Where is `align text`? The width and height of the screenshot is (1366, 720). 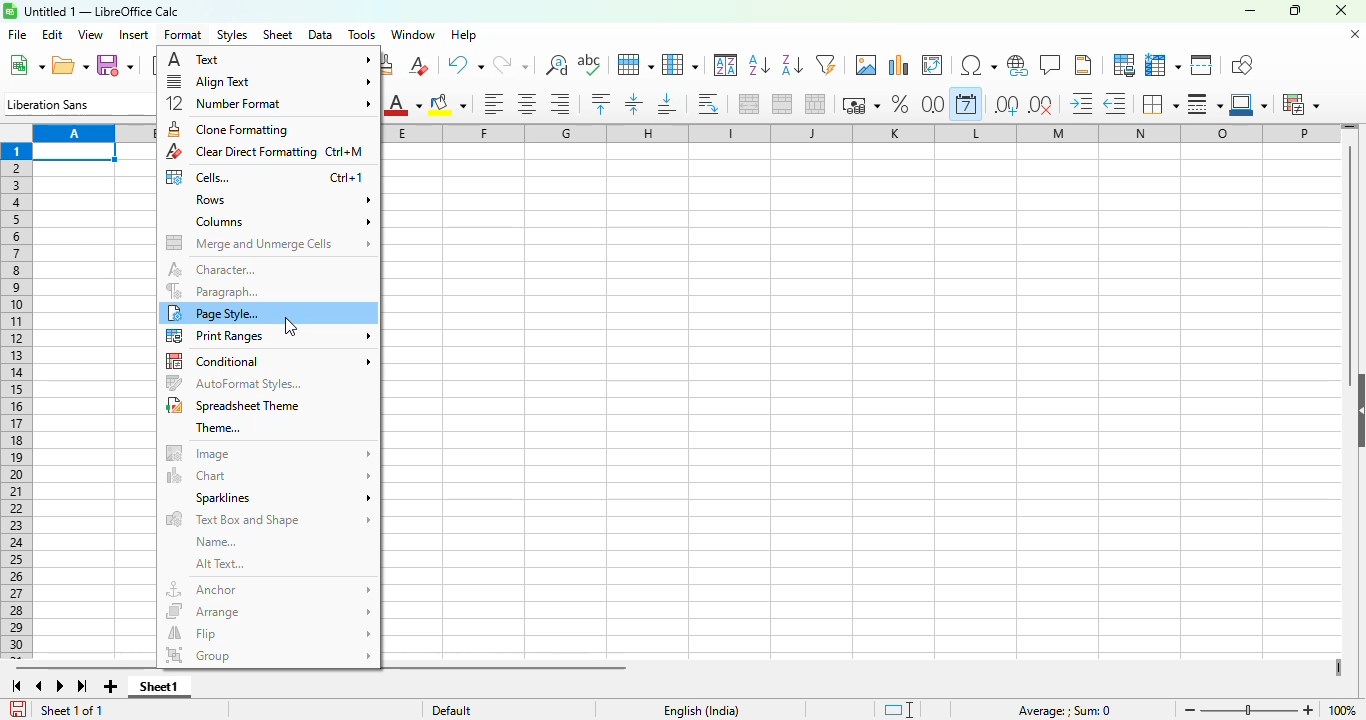 align text is located at coordinates (269, 82).